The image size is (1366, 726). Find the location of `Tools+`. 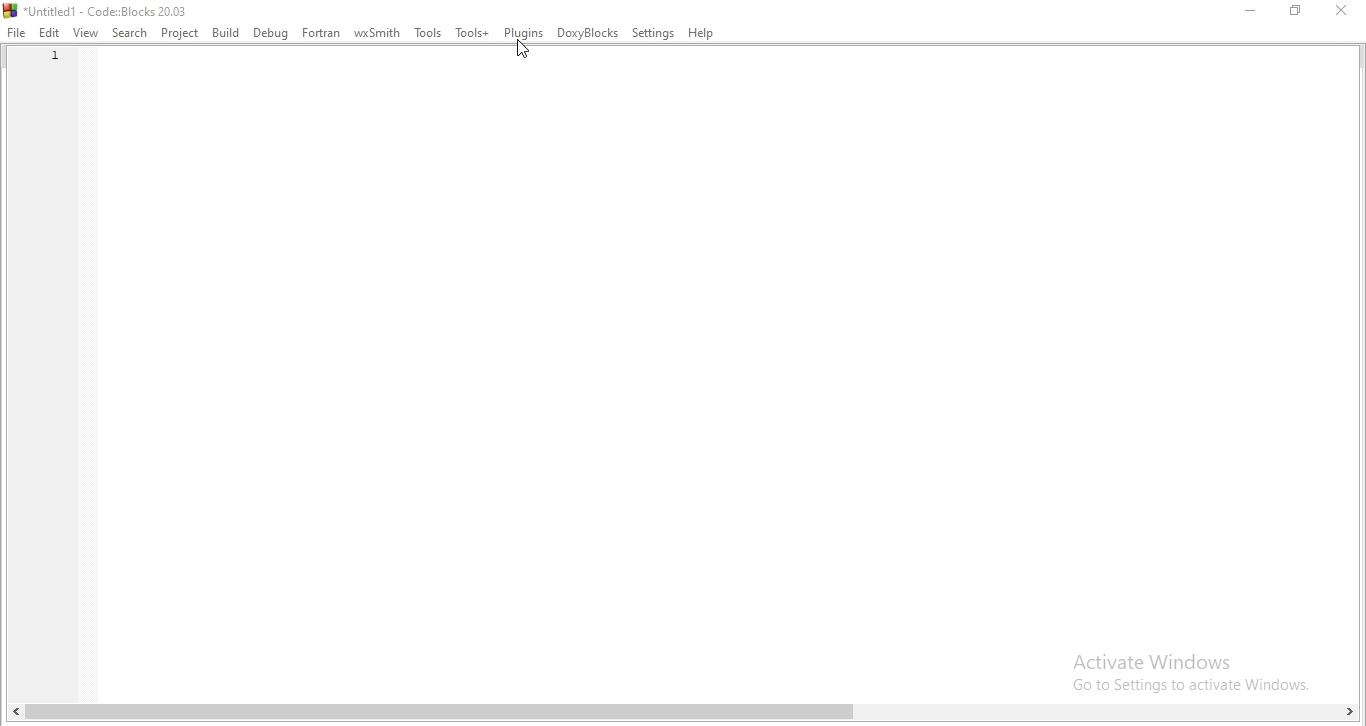

Tools+ is located at coordinates (472, 31).